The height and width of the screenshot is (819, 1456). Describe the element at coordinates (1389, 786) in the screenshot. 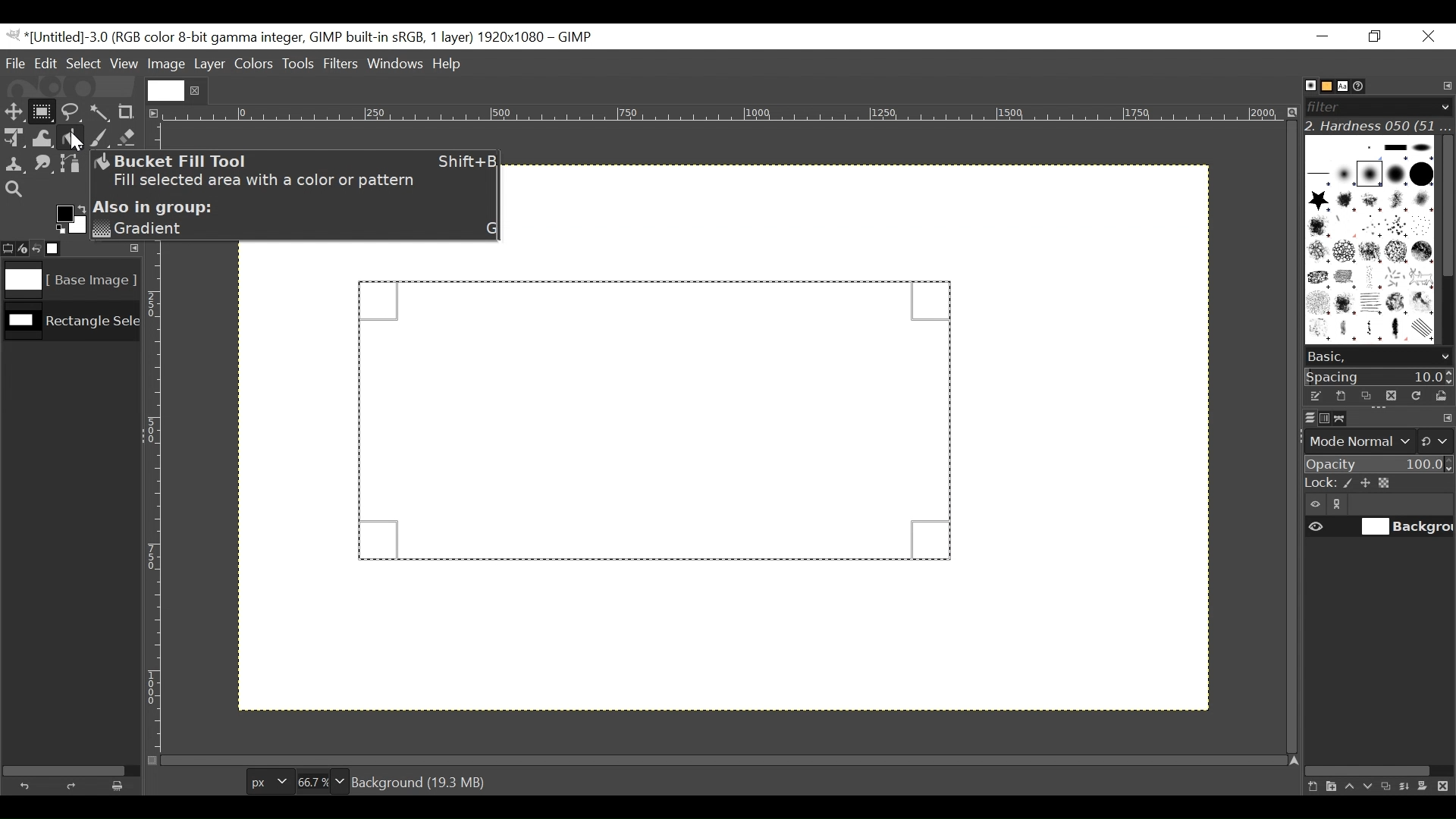

I see `Duplicate this layer` at that location.